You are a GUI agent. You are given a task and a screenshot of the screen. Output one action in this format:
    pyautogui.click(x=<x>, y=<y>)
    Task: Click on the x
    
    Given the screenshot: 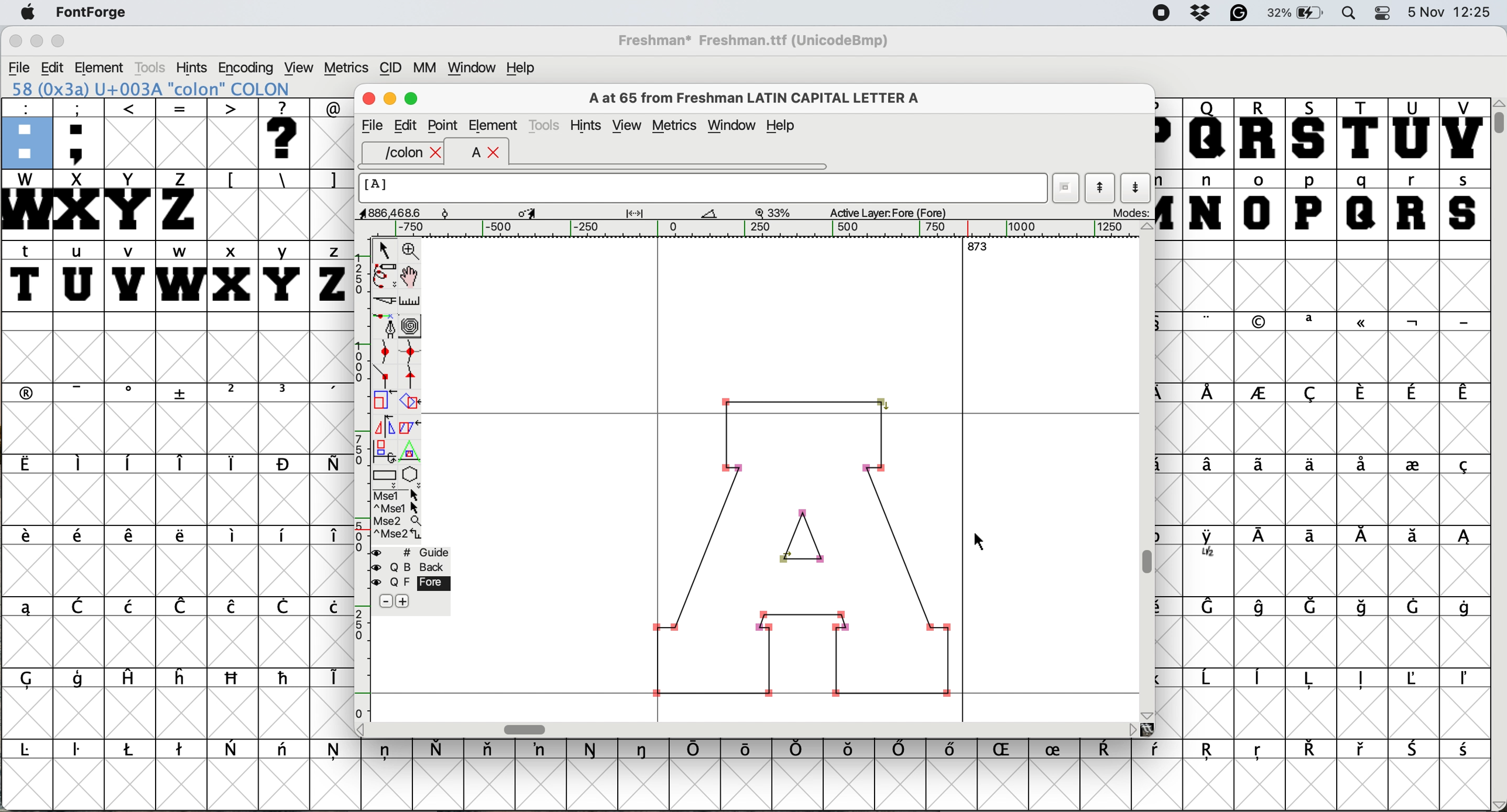 What is the action you would take?
    pyautogui.click(x=231, y=276)
    